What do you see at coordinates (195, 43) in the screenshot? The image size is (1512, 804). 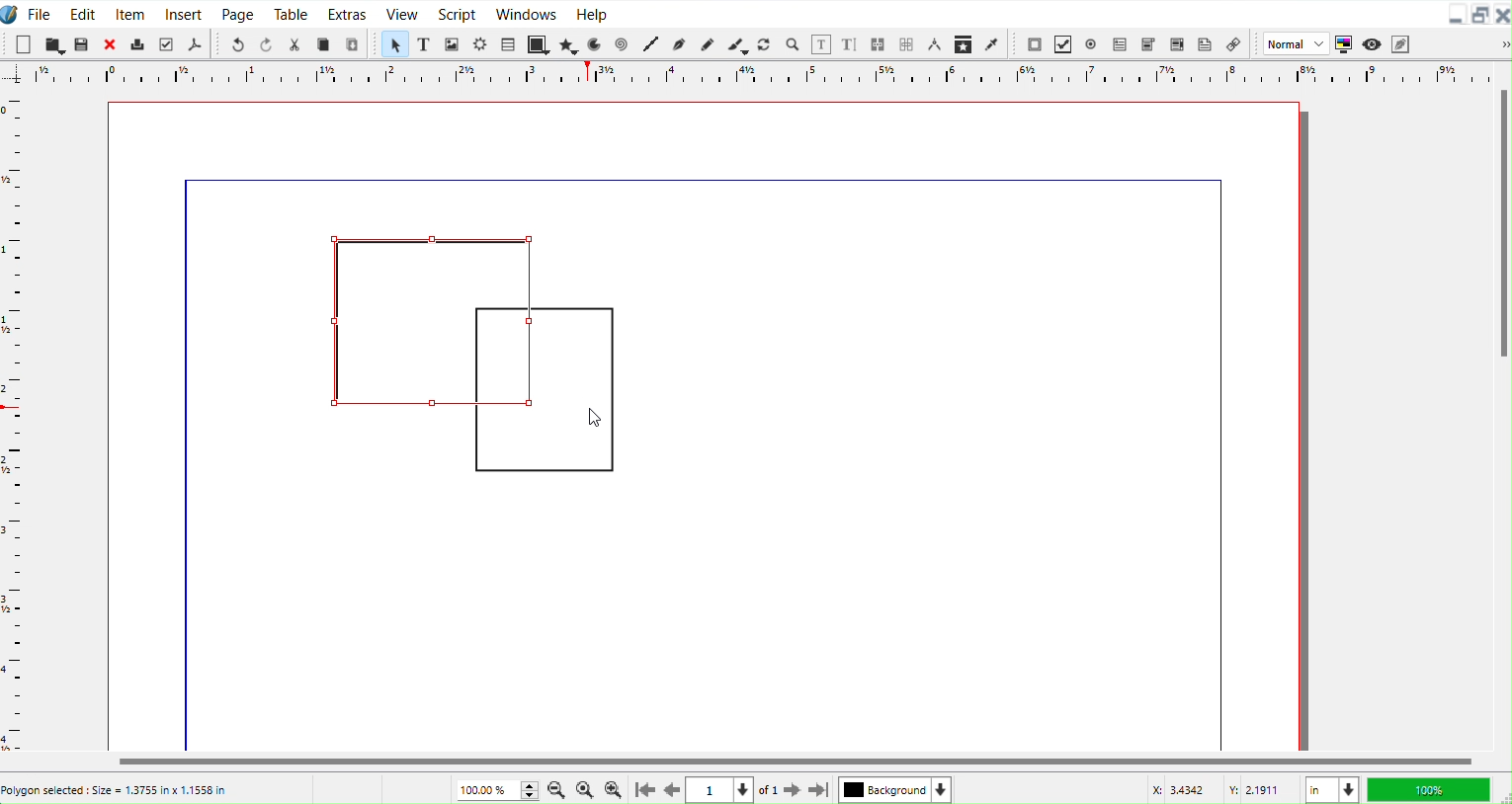 I see `Save as PDF` at bounding box center [195, 43].